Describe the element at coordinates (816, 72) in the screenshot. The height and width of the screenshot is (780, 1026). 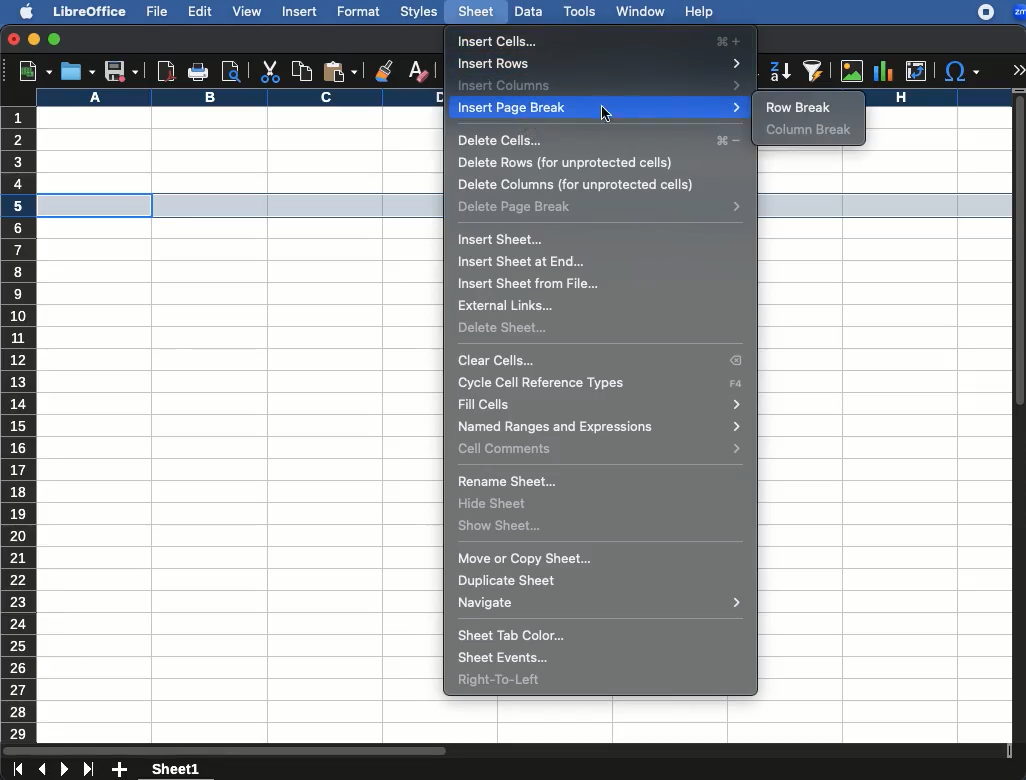
I see `autofilter` at that location.